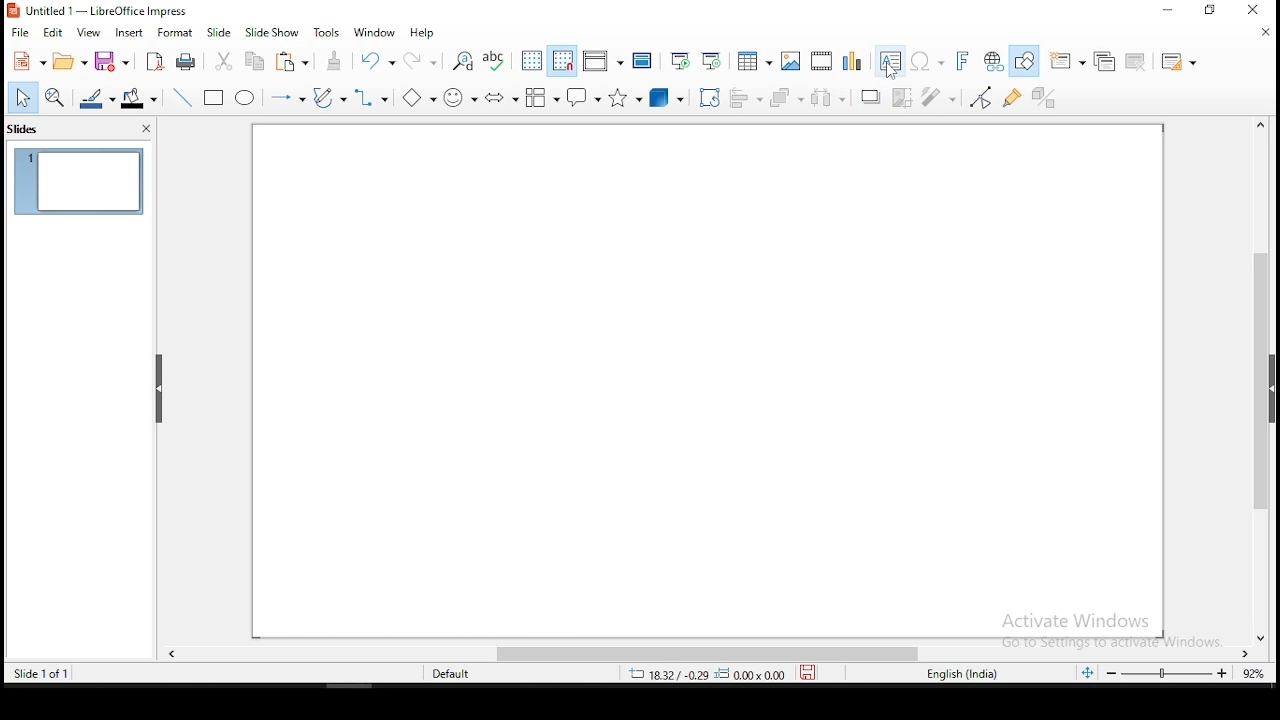  I want to click on insert special characters, so click(927, 61).